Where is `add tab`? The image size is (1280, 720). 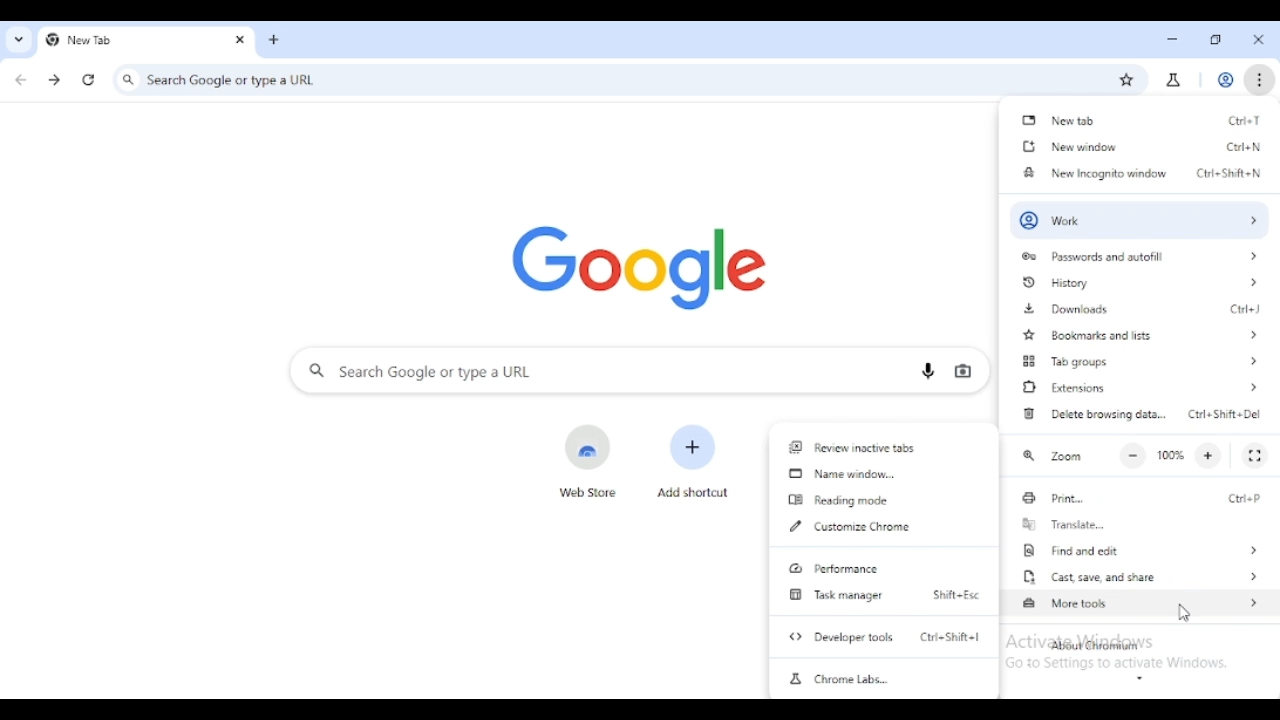
add tab is located at coordinates (274, 40).